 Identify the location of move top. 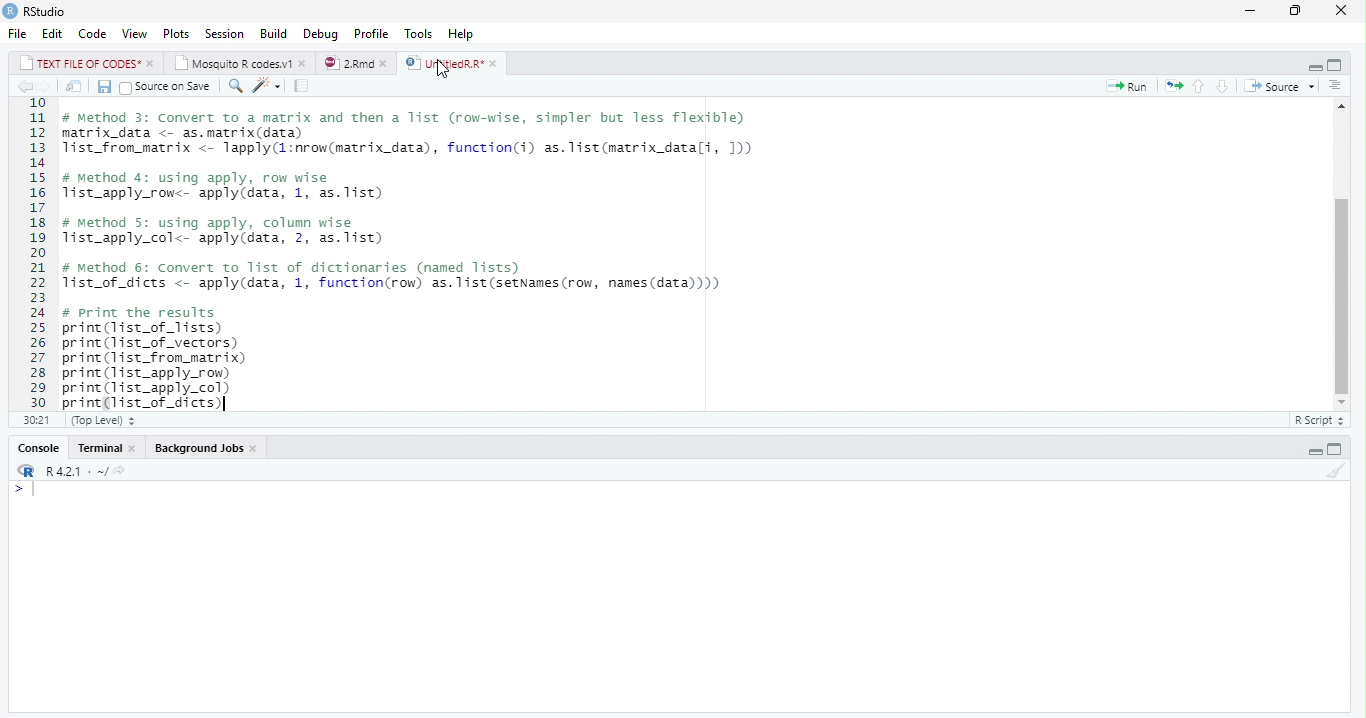
(1342, 107).